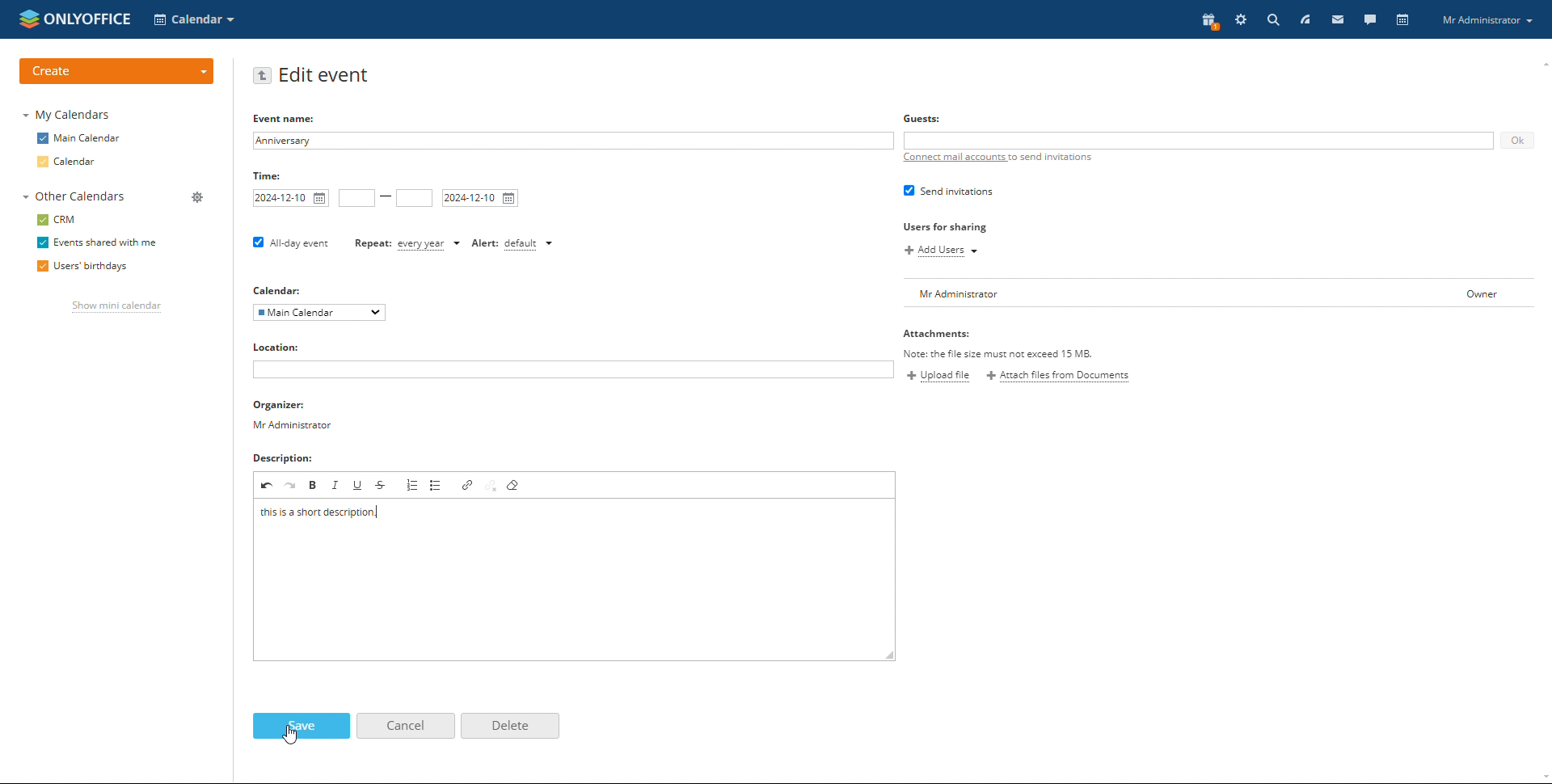  What do you see at coordinates (196, 19) in the screenshot?
I see `select application` at bounding box center [196, 19].